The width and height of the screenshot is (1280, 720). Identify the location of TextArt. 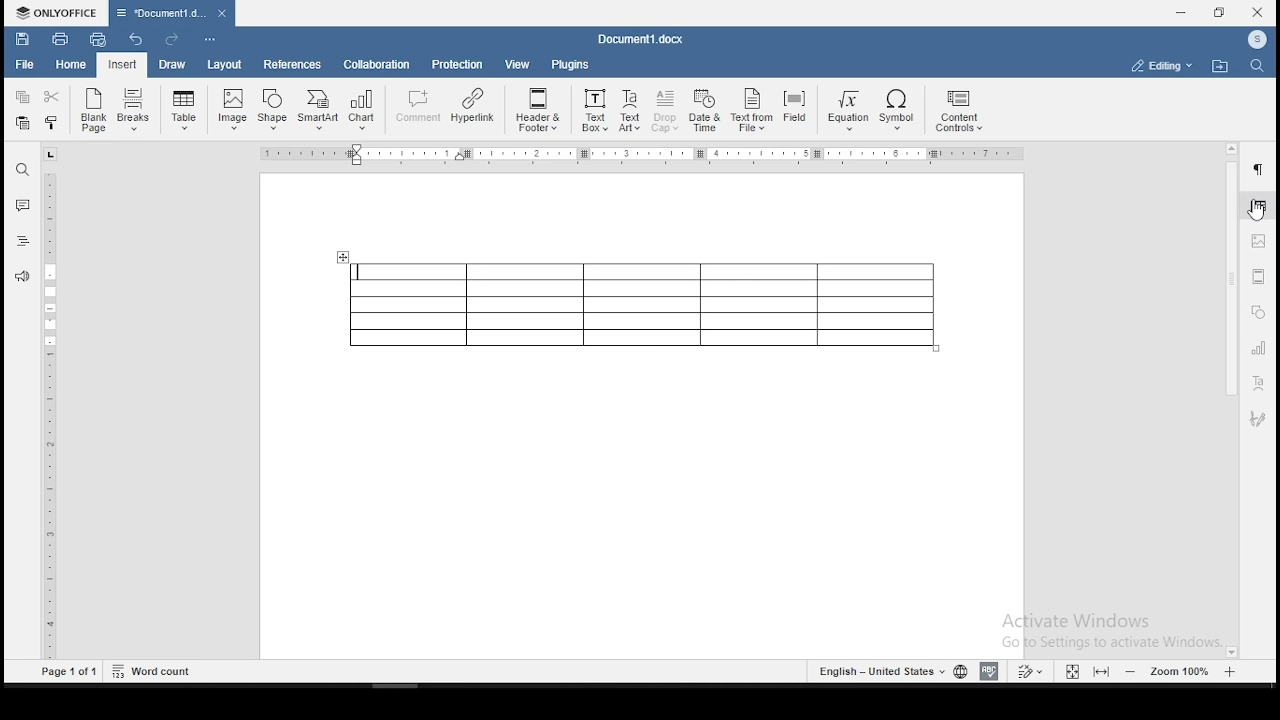
(629, 112).